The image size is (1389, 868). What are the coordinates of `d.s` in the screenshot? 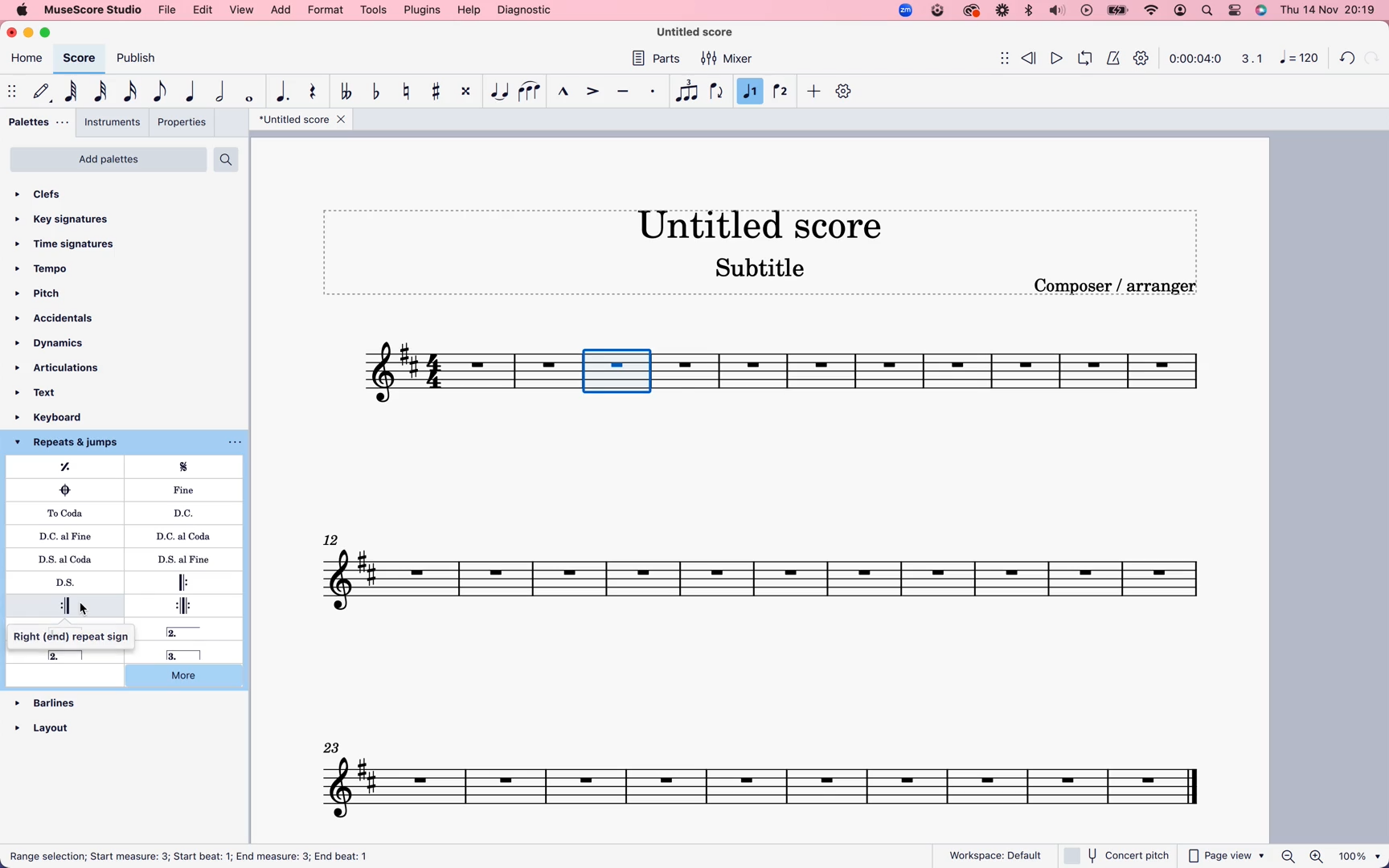 It's located at (68, 583).